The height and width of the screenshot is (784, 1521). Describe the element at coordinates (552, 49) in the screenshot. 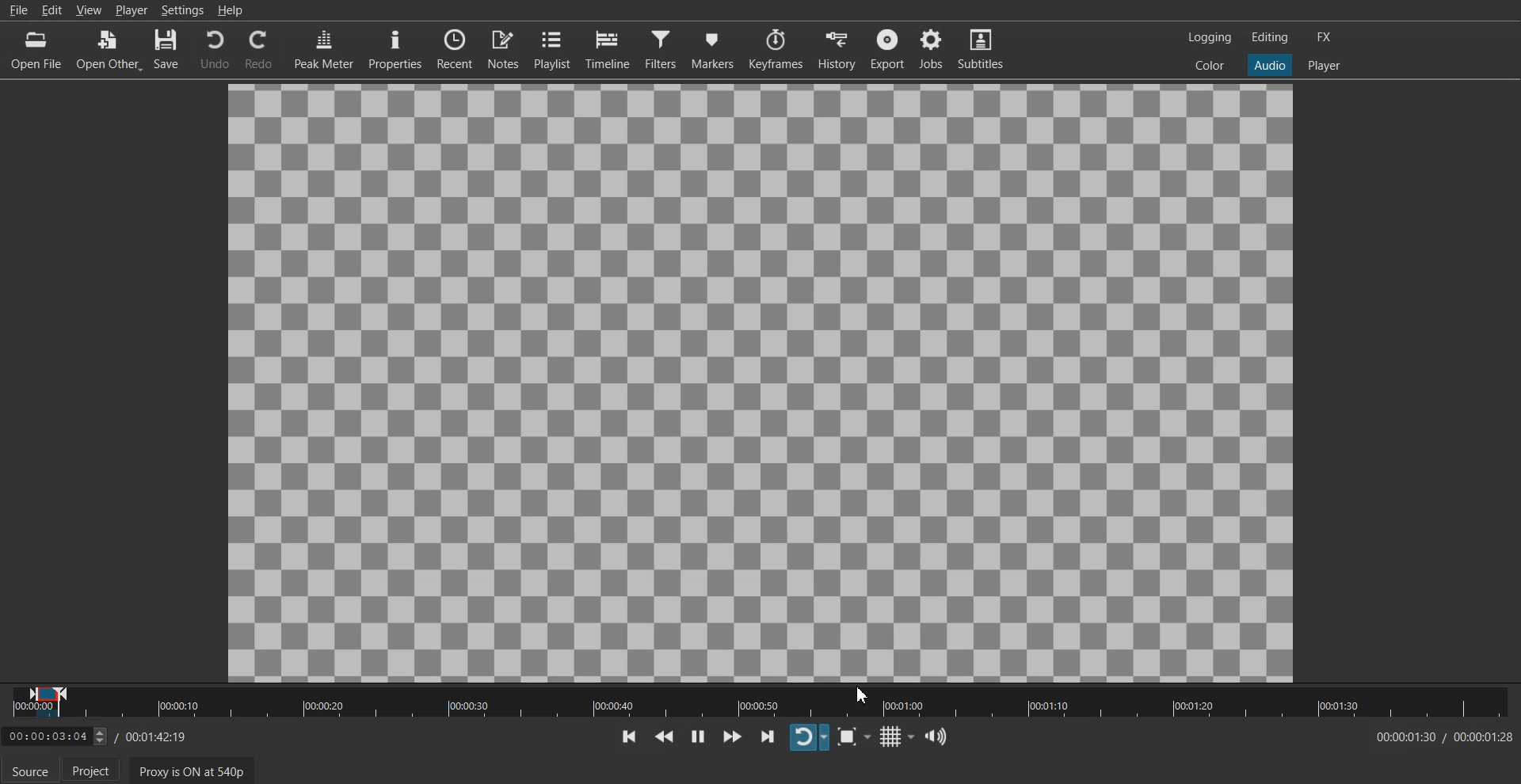

I see `Playlist` at that location.